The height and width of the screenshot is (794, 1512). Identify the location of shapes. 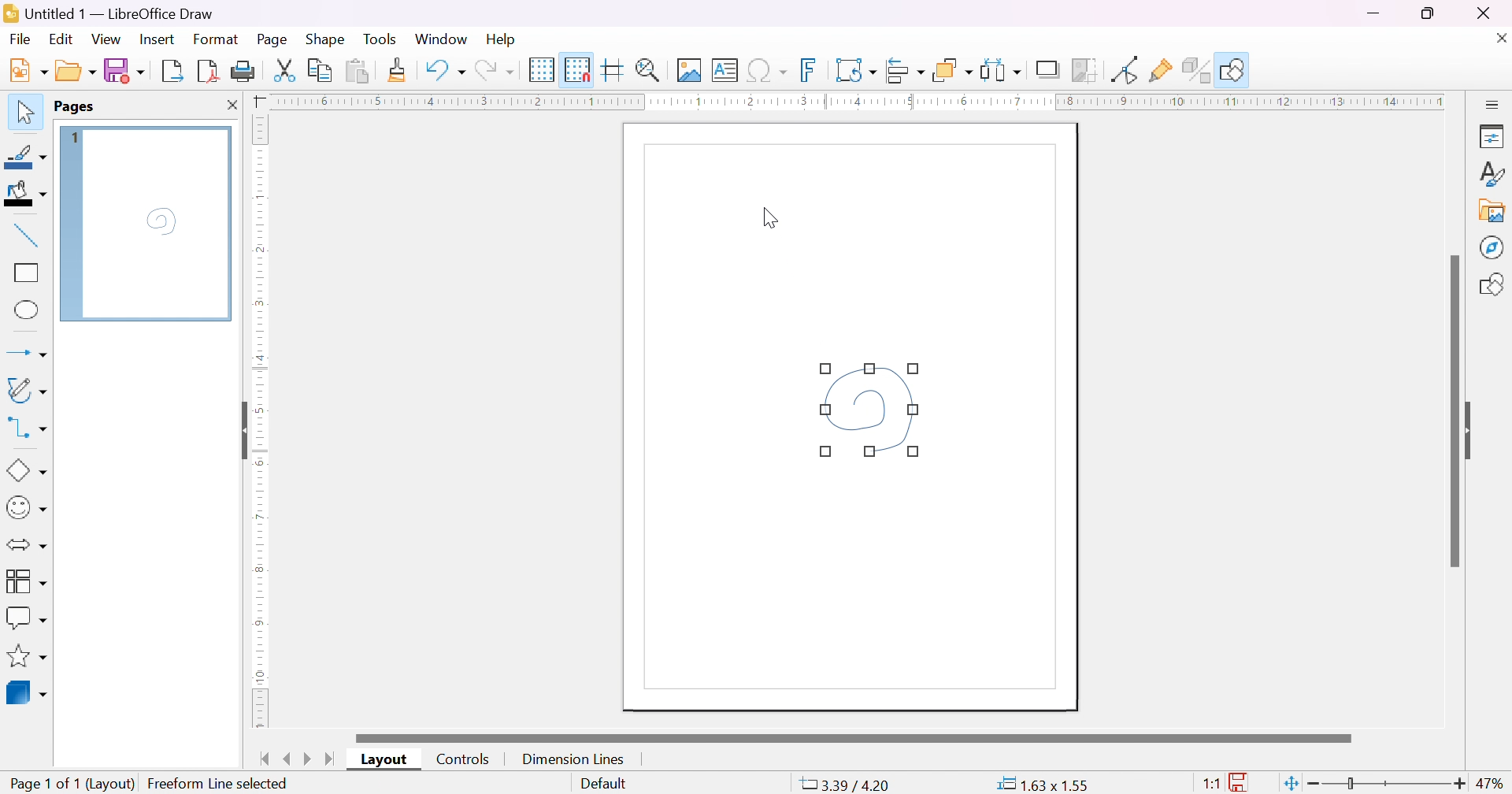
(1493, 286).